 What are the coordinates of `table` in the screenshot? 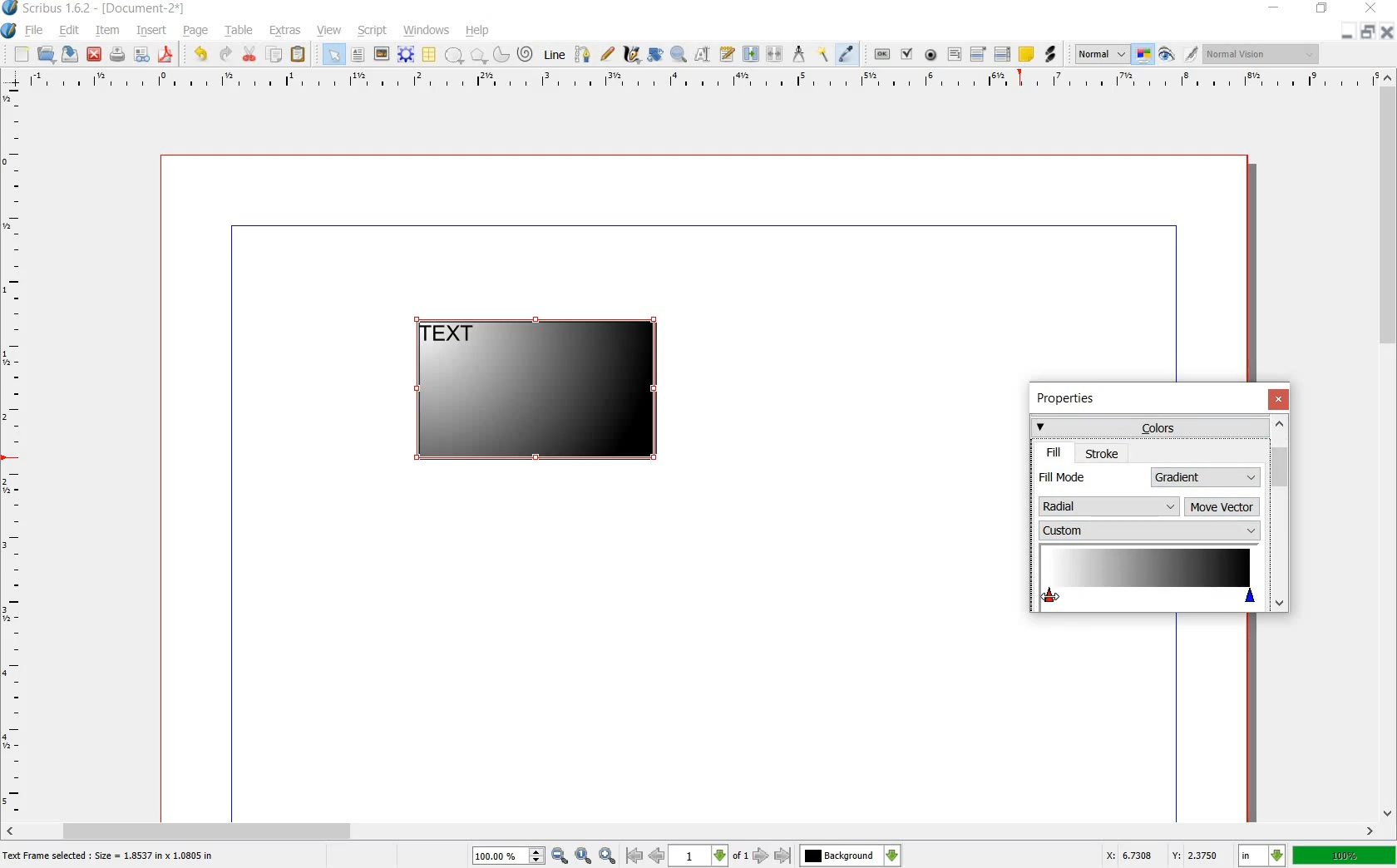 It's located at (240, 32).